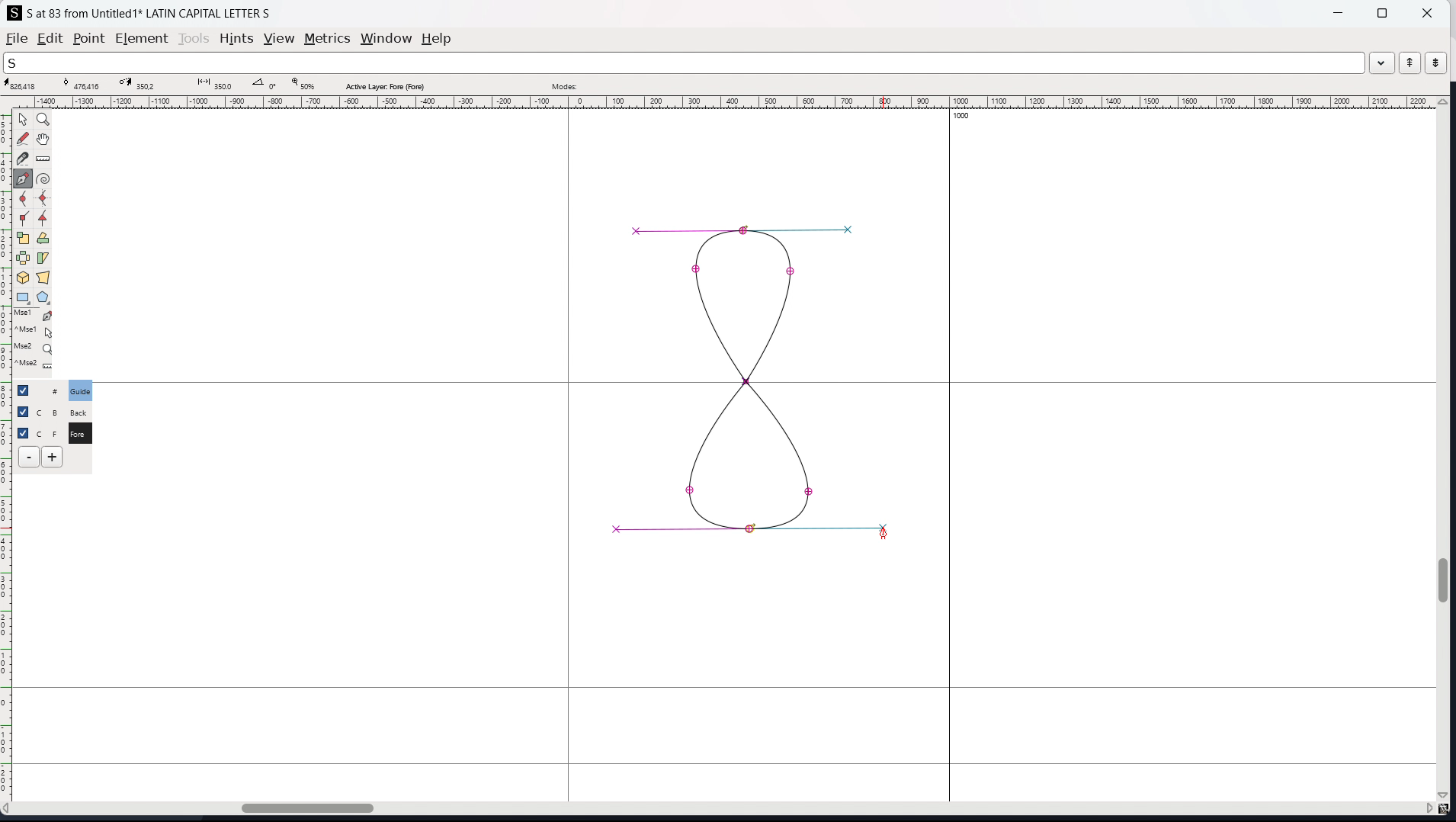 This screenshot has height=822, width=1456. Describe the element at coordinates (195, 38) in the screenshot. I see `tools` at that location.